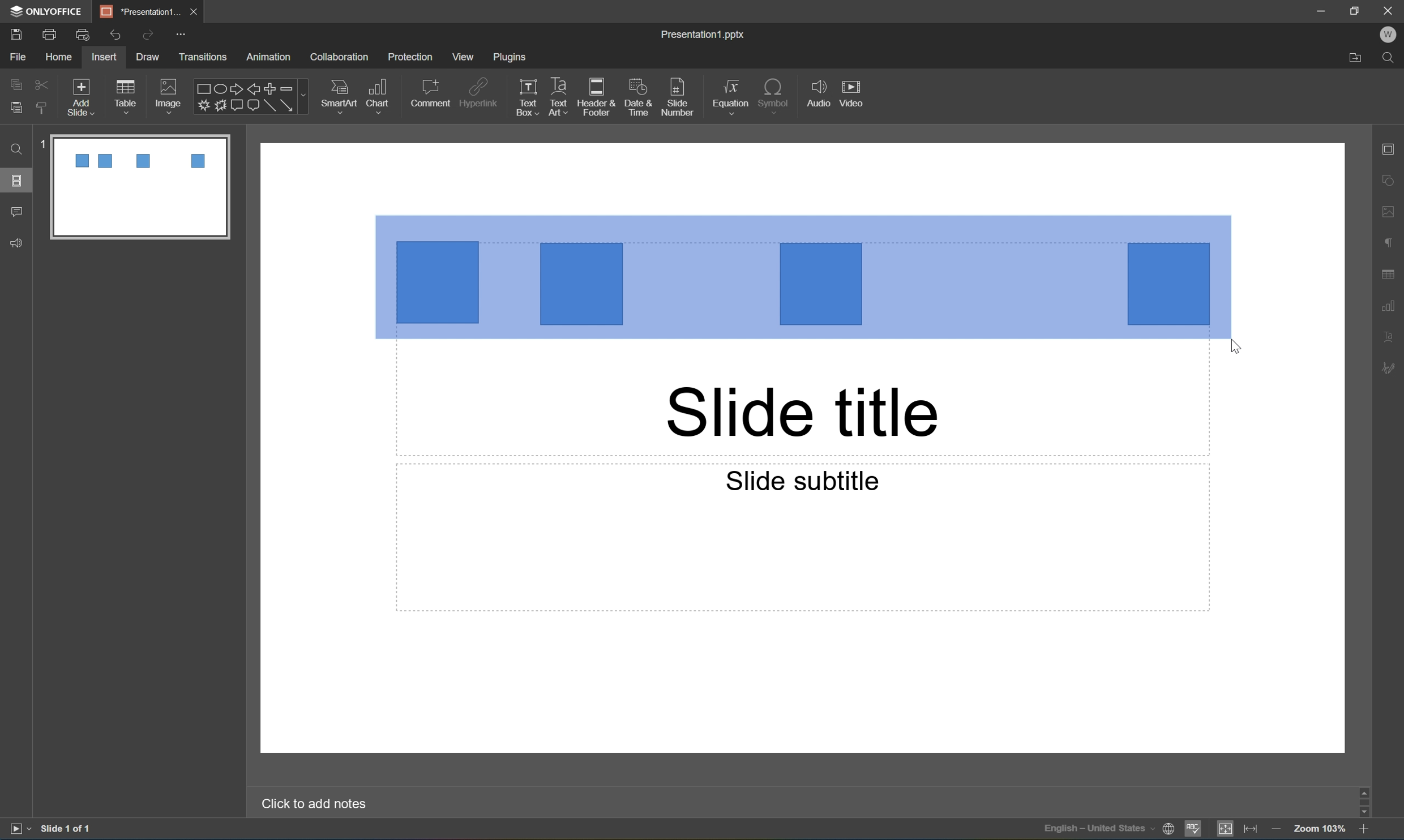 Image resolution: width=1404 pixels, height=840 pixels. I want to click on set document language, so click(1107, 831).